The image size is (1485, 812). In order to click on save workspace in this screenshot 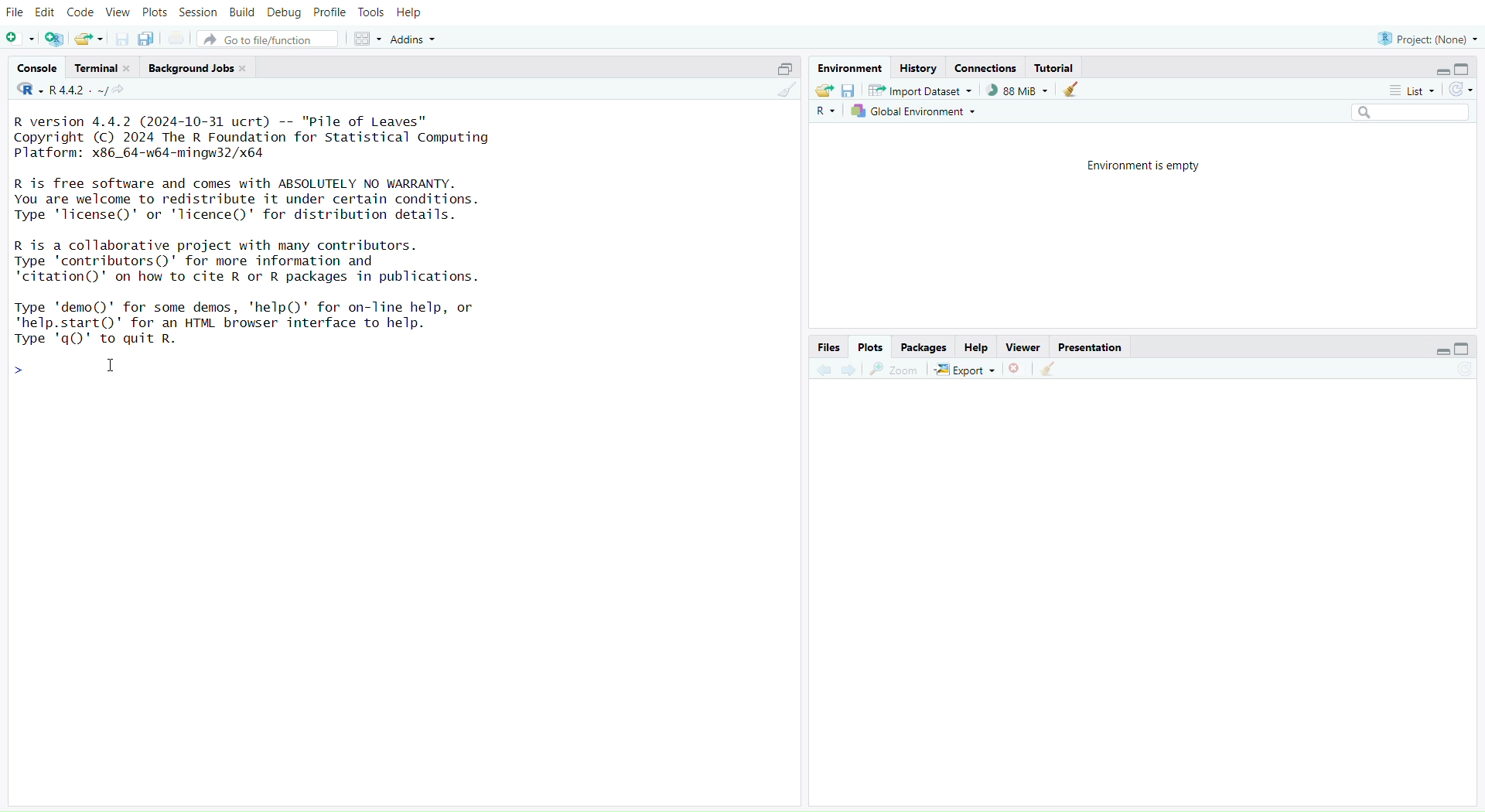, I will do `click(850, 90)`.